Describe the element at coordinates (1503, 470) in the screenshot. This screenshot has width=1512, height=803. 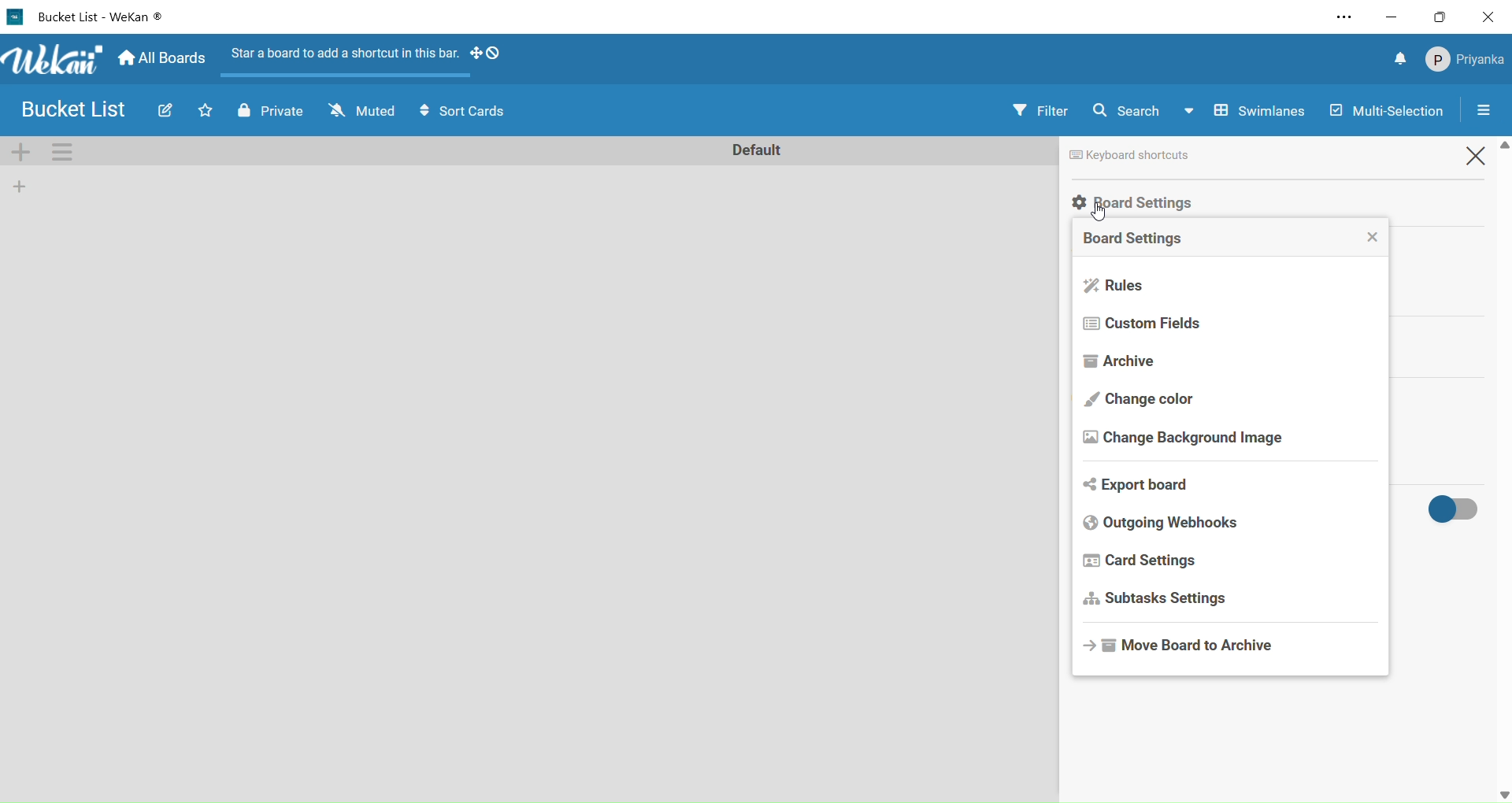
I see `vertical scroll bar` at that location.